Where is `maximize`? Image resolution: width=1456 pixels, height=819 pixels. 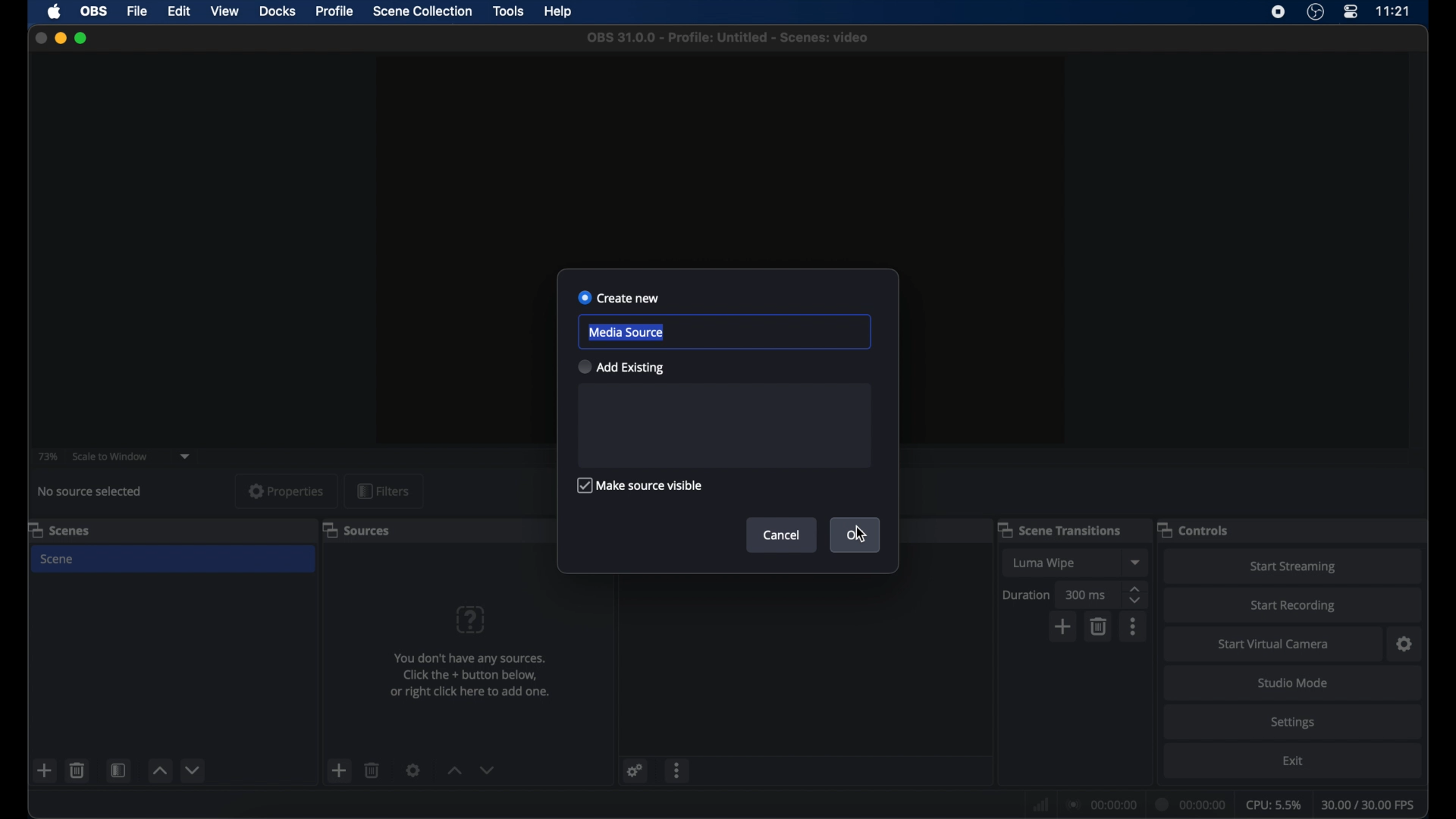 maximize is located at coordinates (83, 39).